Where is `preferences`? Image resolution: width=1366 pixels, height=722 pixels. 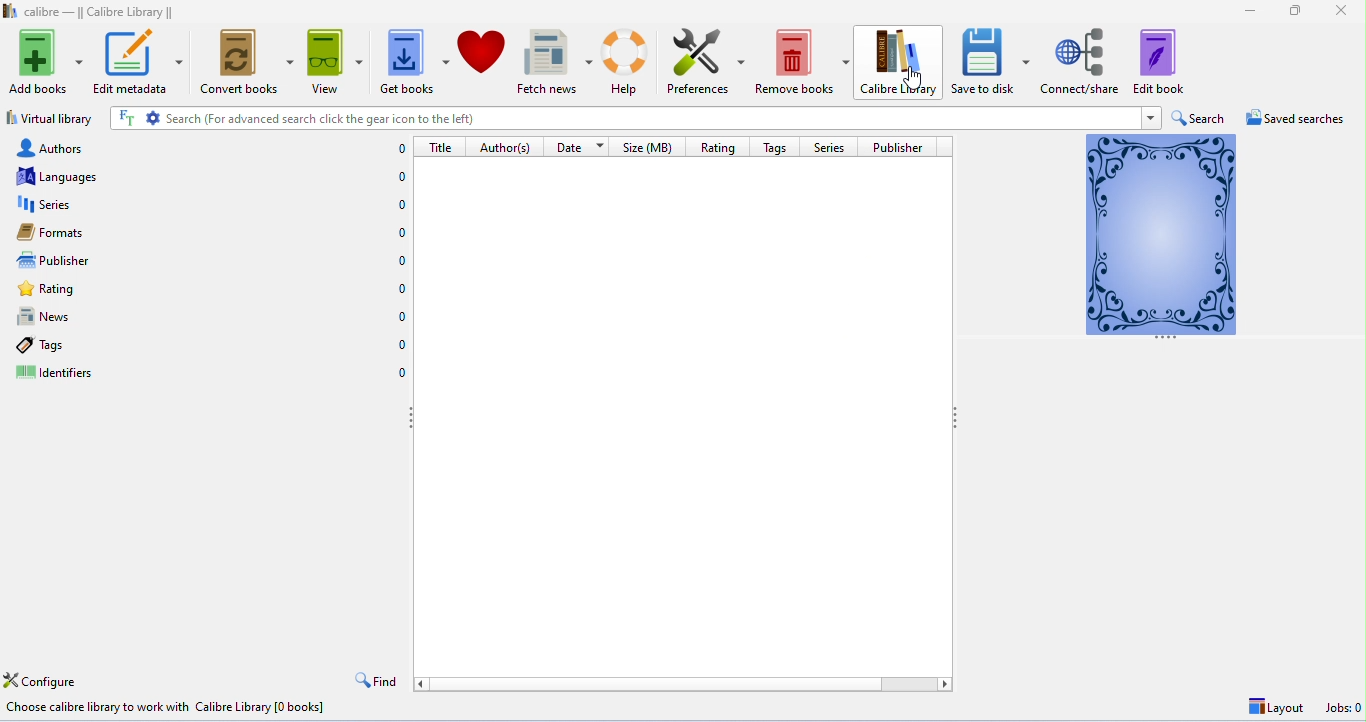 preferences is located at coordinates (705, 60).